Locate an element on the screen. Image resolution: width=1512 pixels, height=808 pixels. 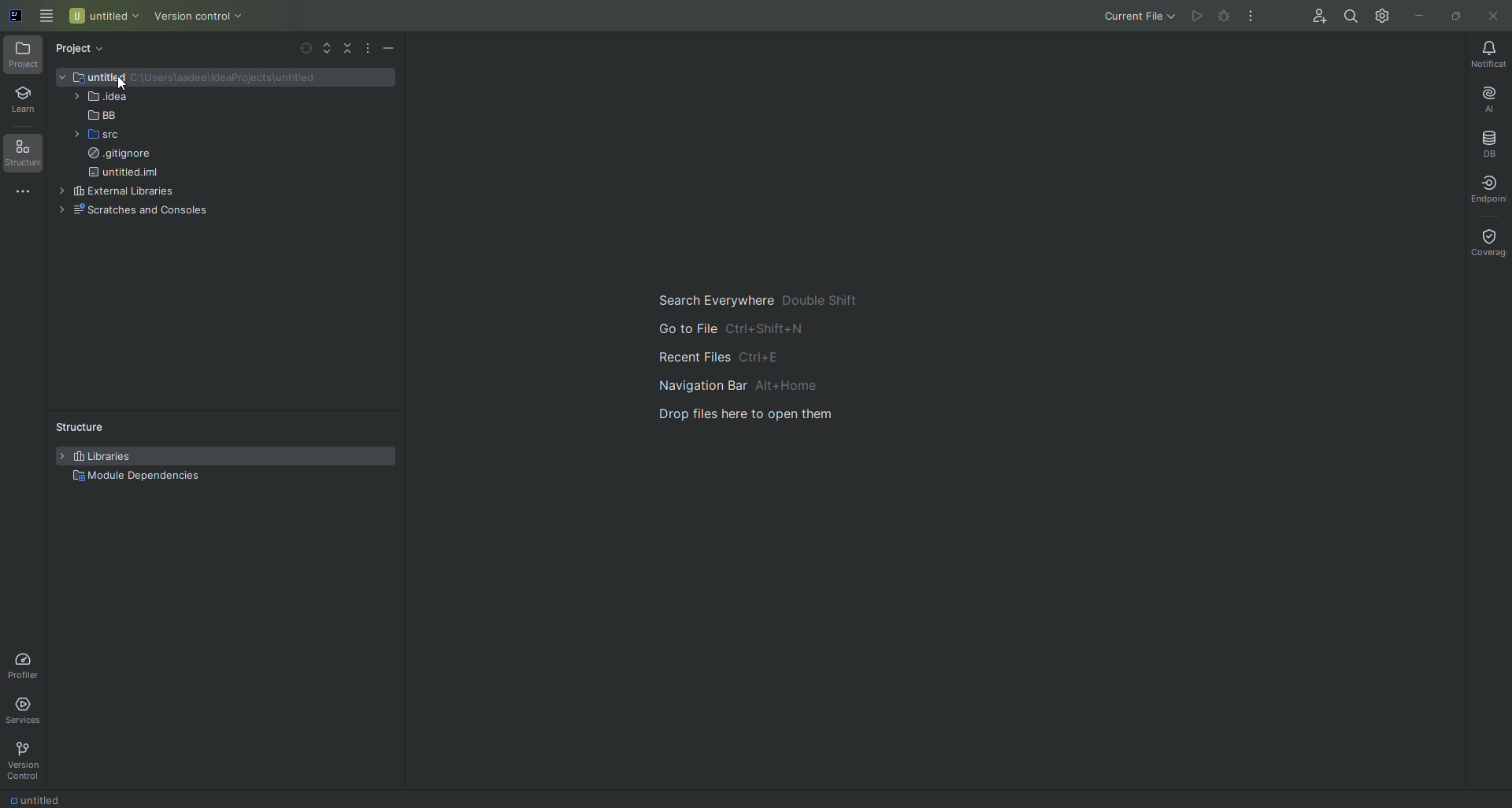
Version Control is located at coordinates (204, 17).